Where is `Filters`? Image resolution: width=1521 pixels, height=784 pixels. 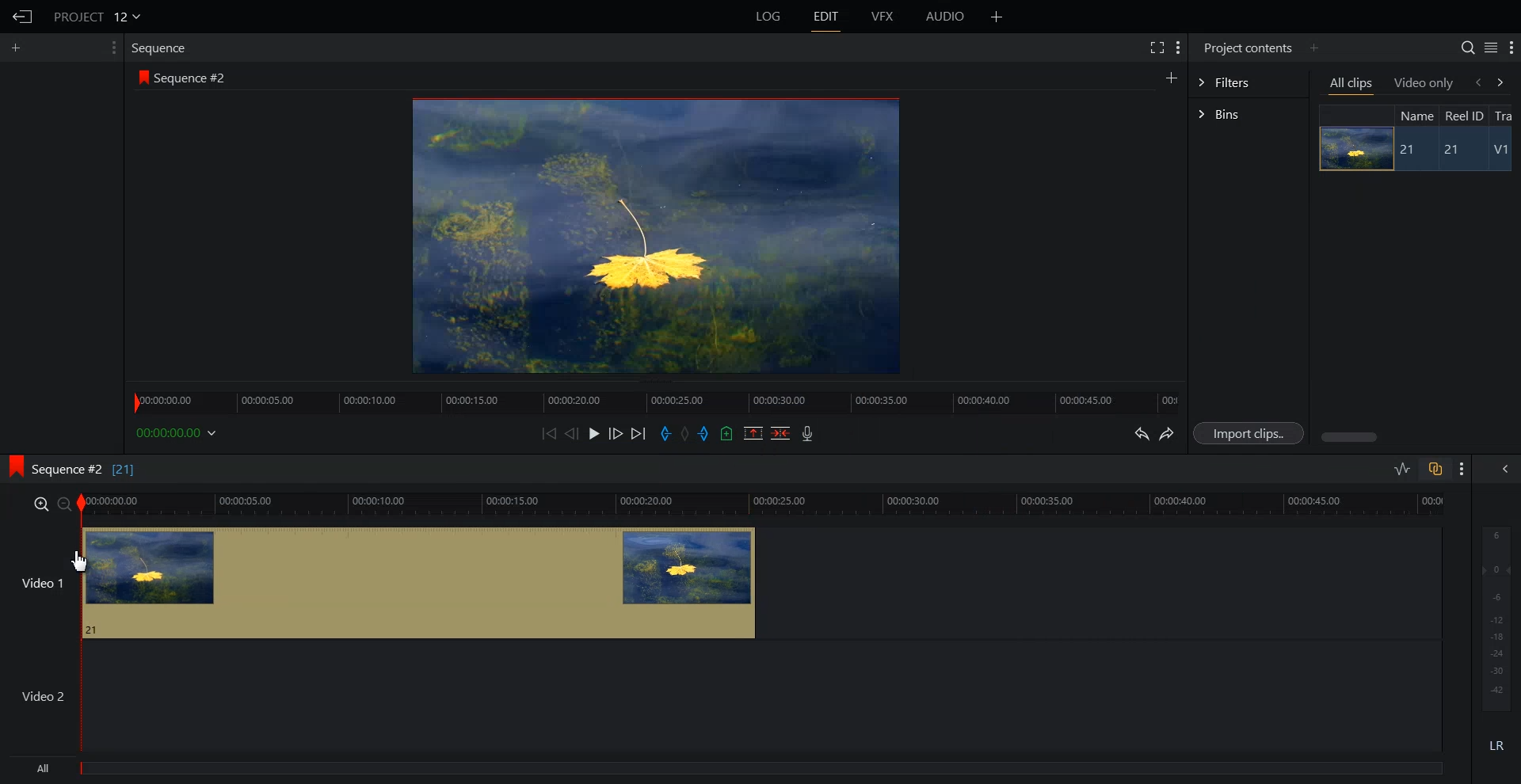
Filters is located at coordinates (1248, 81).